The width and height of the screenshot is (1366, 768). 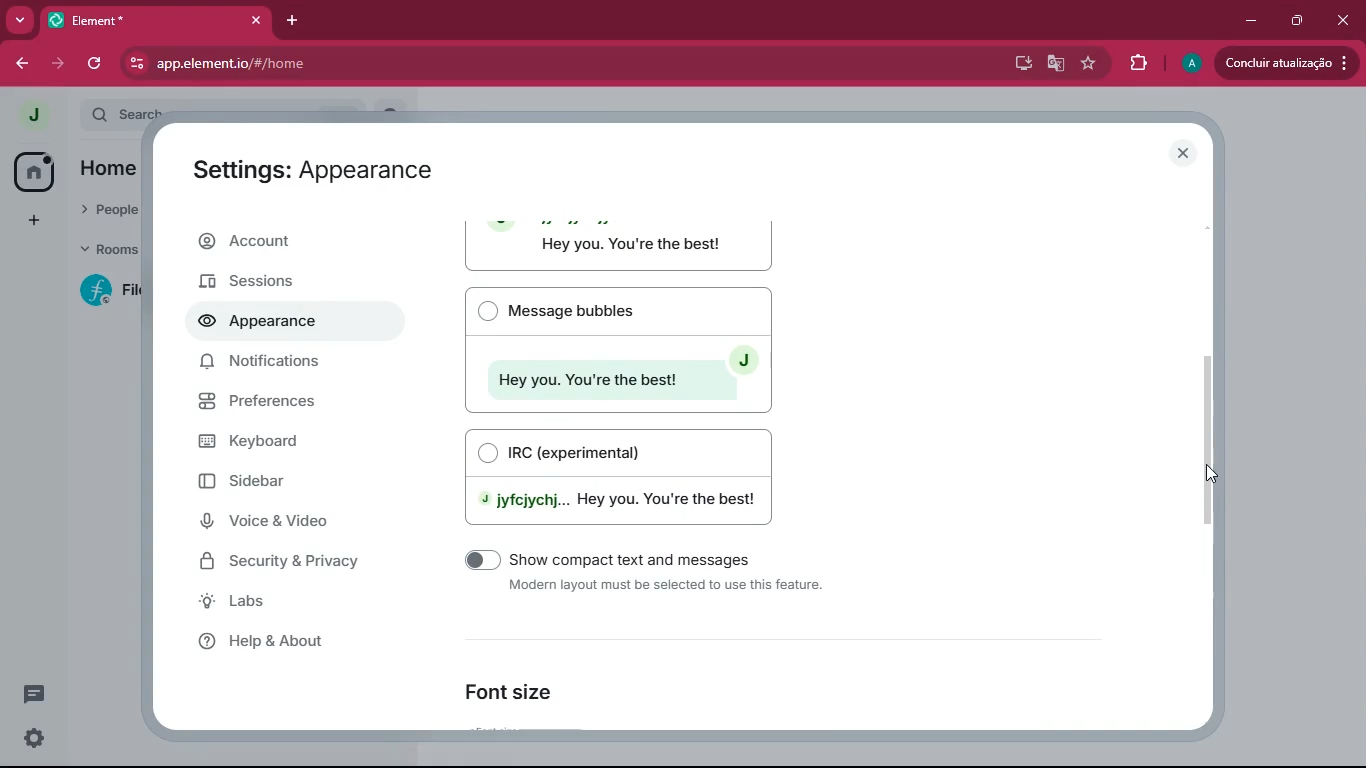 I want to click on refresh, so click(x=97, y=66).